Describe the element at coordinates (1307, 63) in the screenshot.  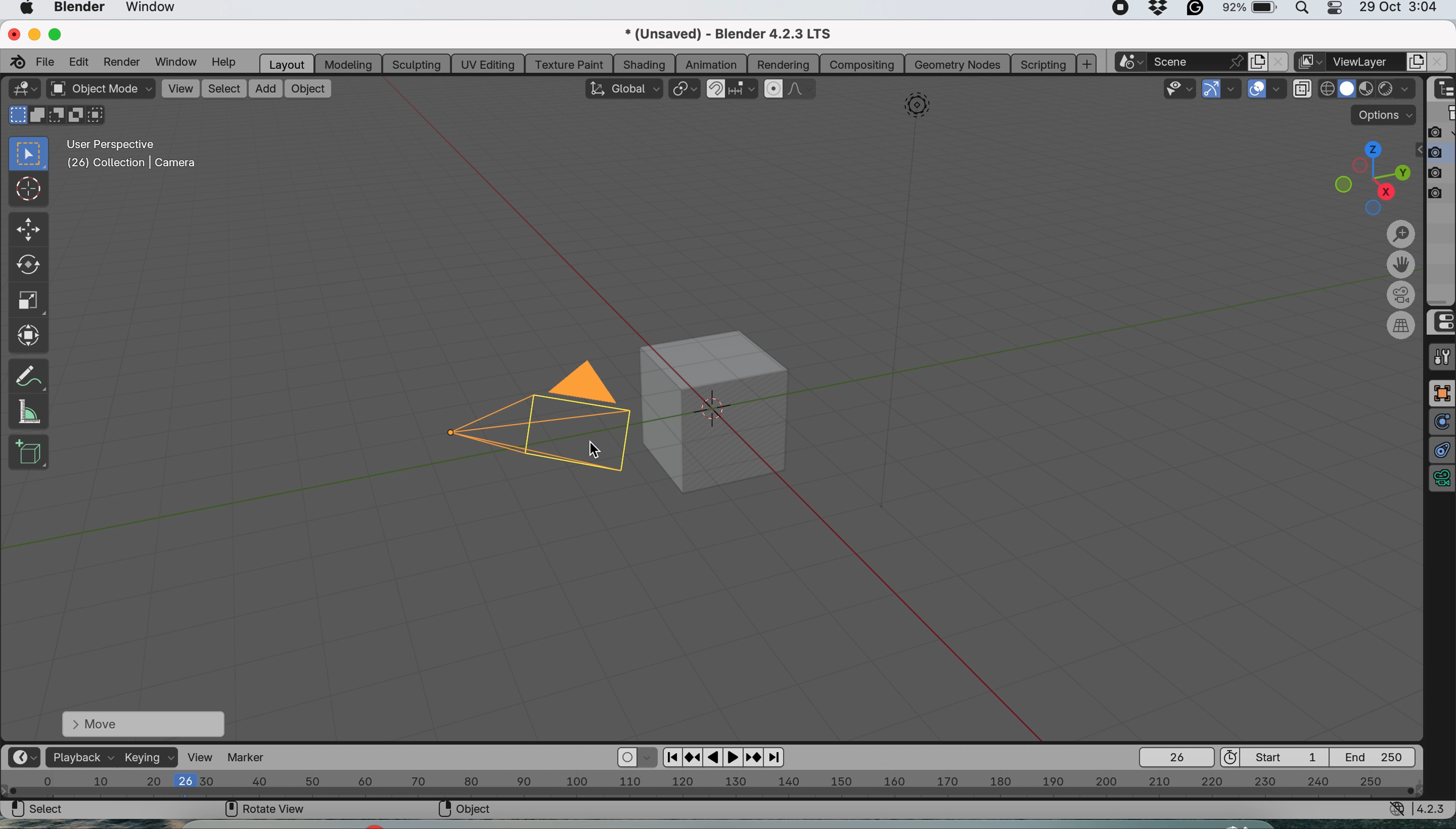
I see `active workspace` at that location.